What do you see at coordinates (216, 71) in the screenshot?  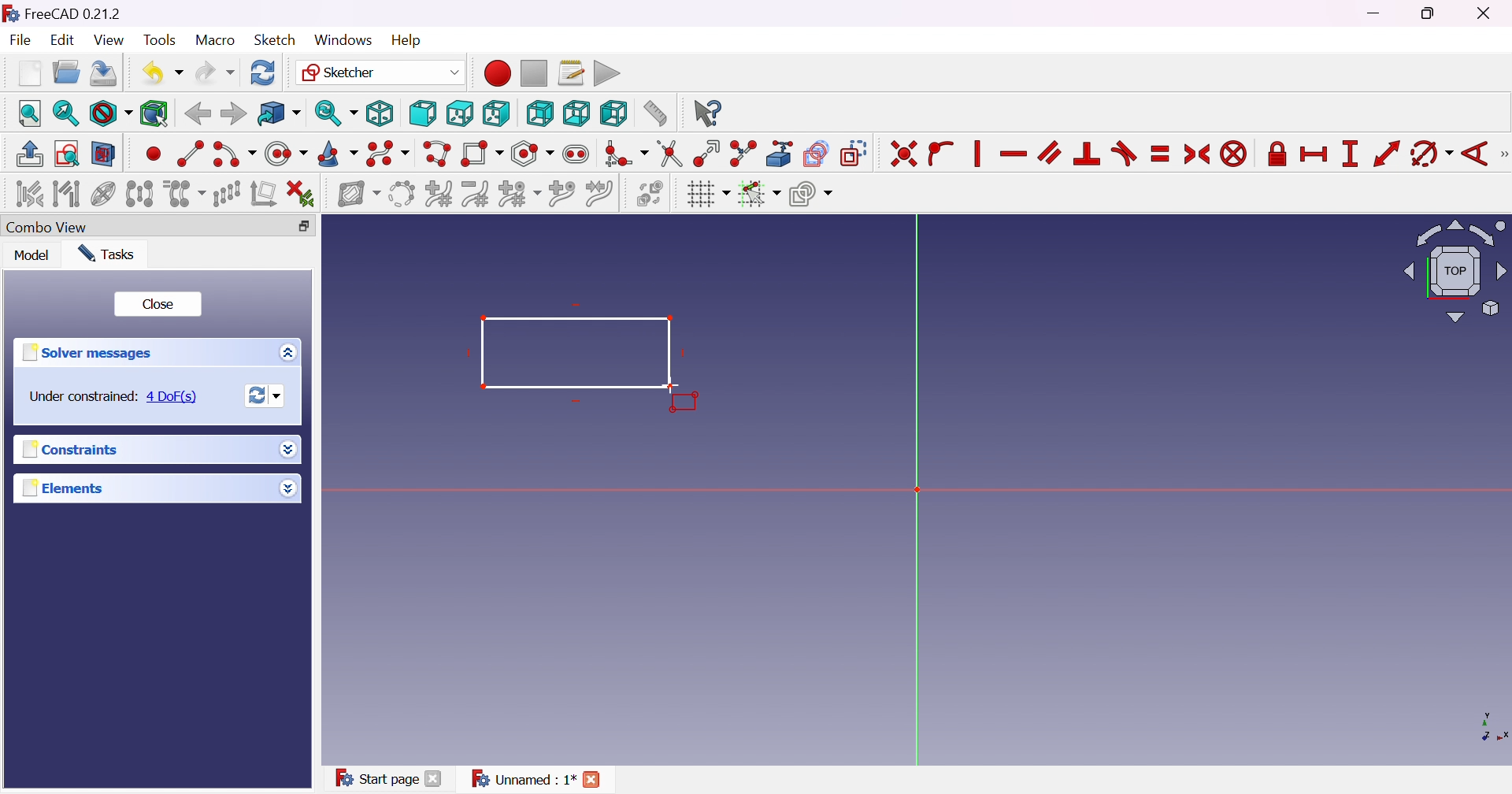 I see `Redo` at bounding box center [216, 71].